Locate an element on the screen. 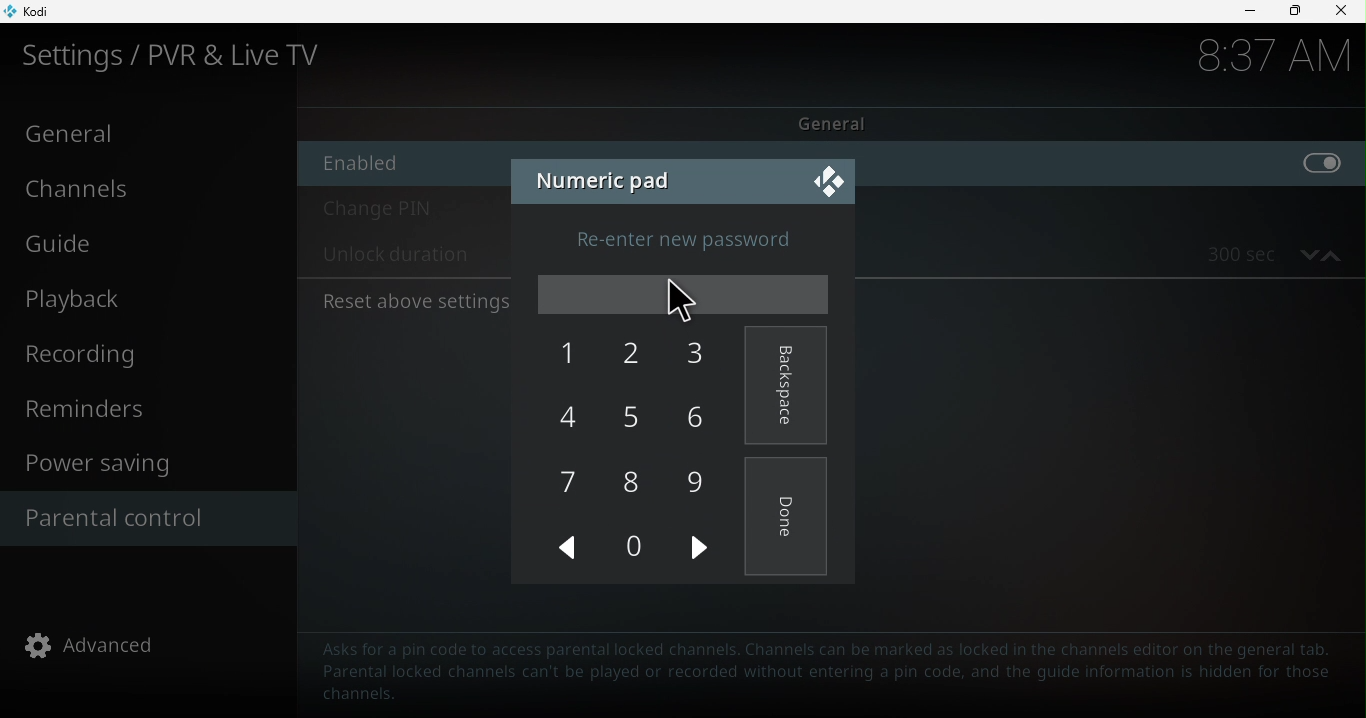 The height and width of the screenshot is (718, 1366). Maximize is located at coordinates (1294, 11).